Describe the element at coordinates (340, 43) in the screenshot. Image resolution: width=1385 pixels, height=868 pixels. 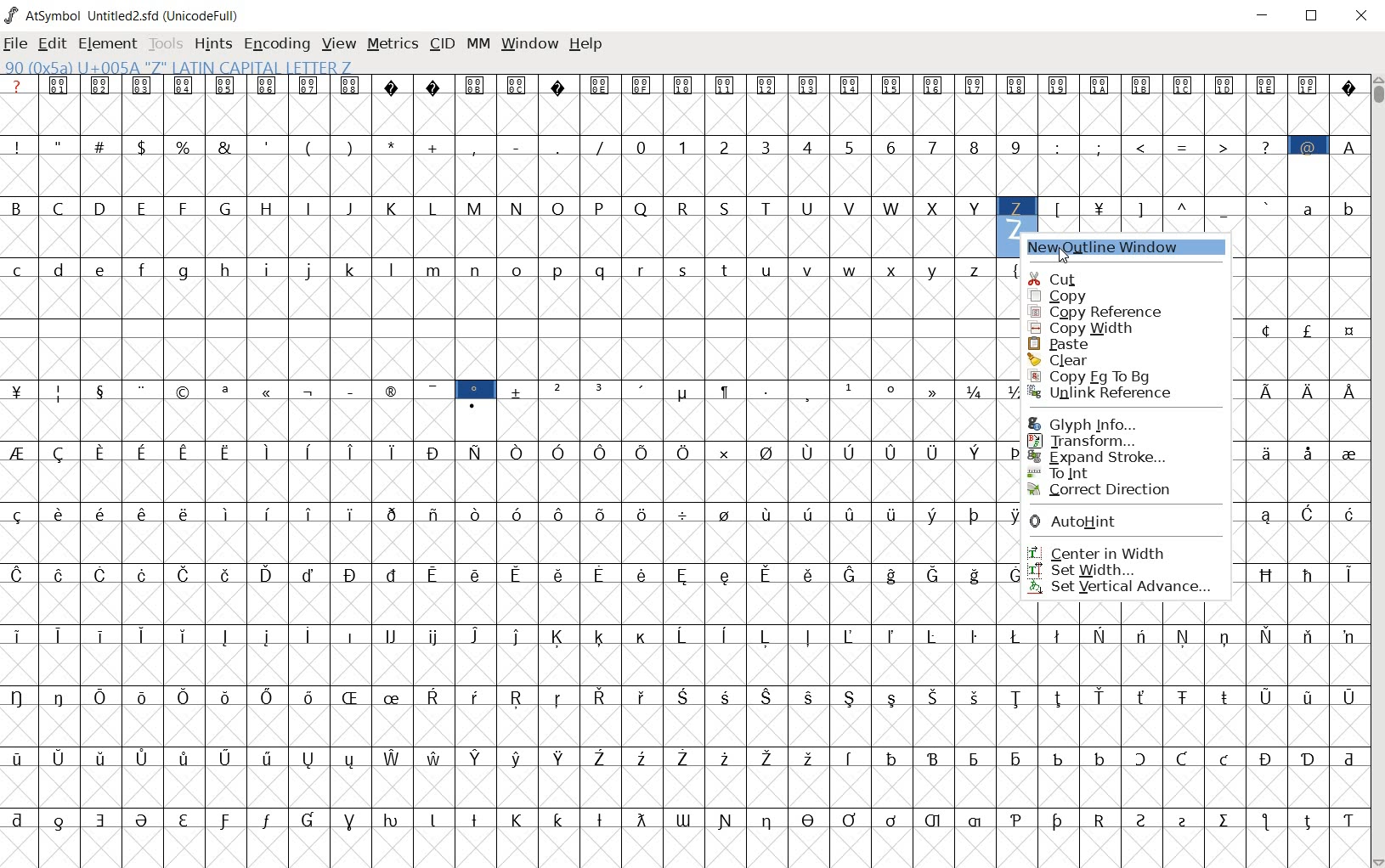
I see `view` at that location.